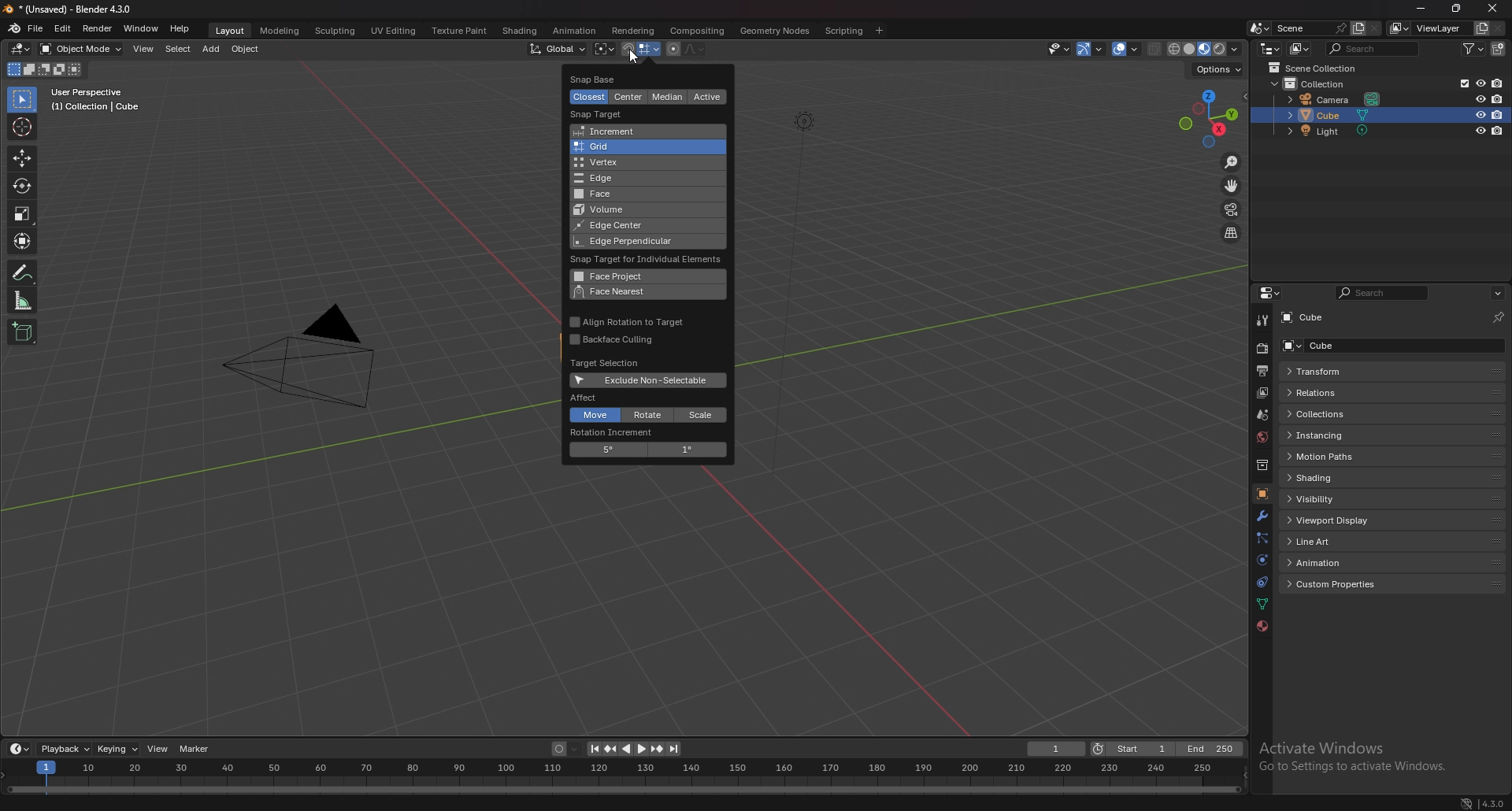  Describe the element at coordinates (1499, 315) in the screenshot. I see `toggle pin id` at that location.